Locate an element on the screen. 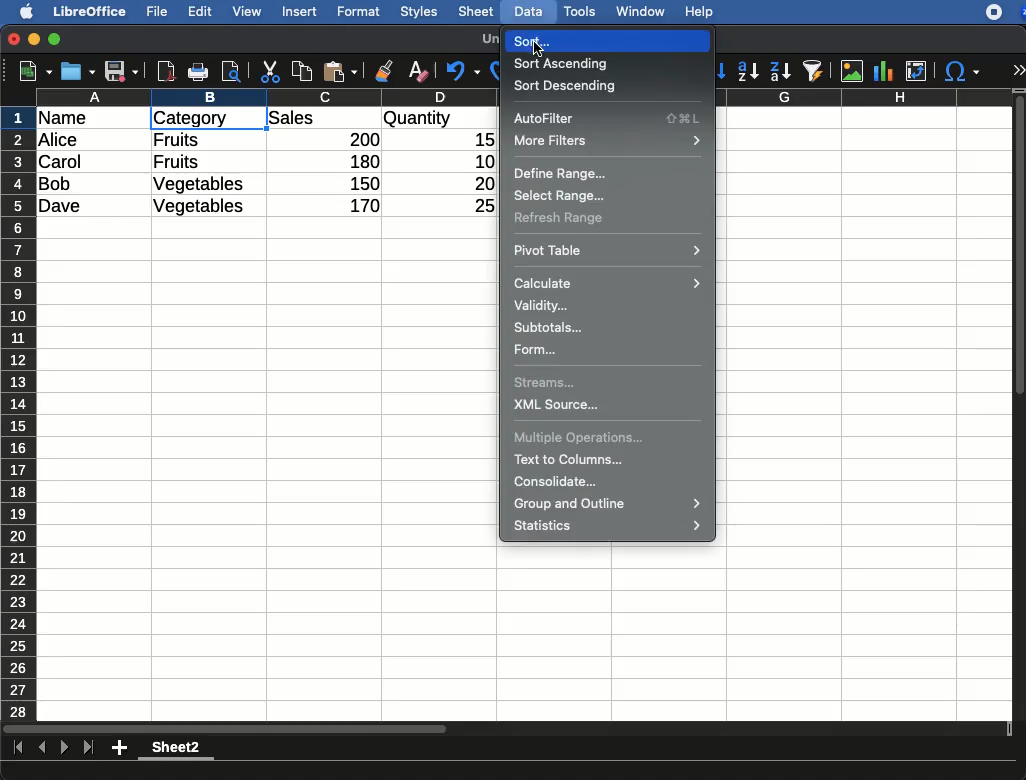 The image size is (1026, 780). previous sheet is located at coordinates (44, 748).